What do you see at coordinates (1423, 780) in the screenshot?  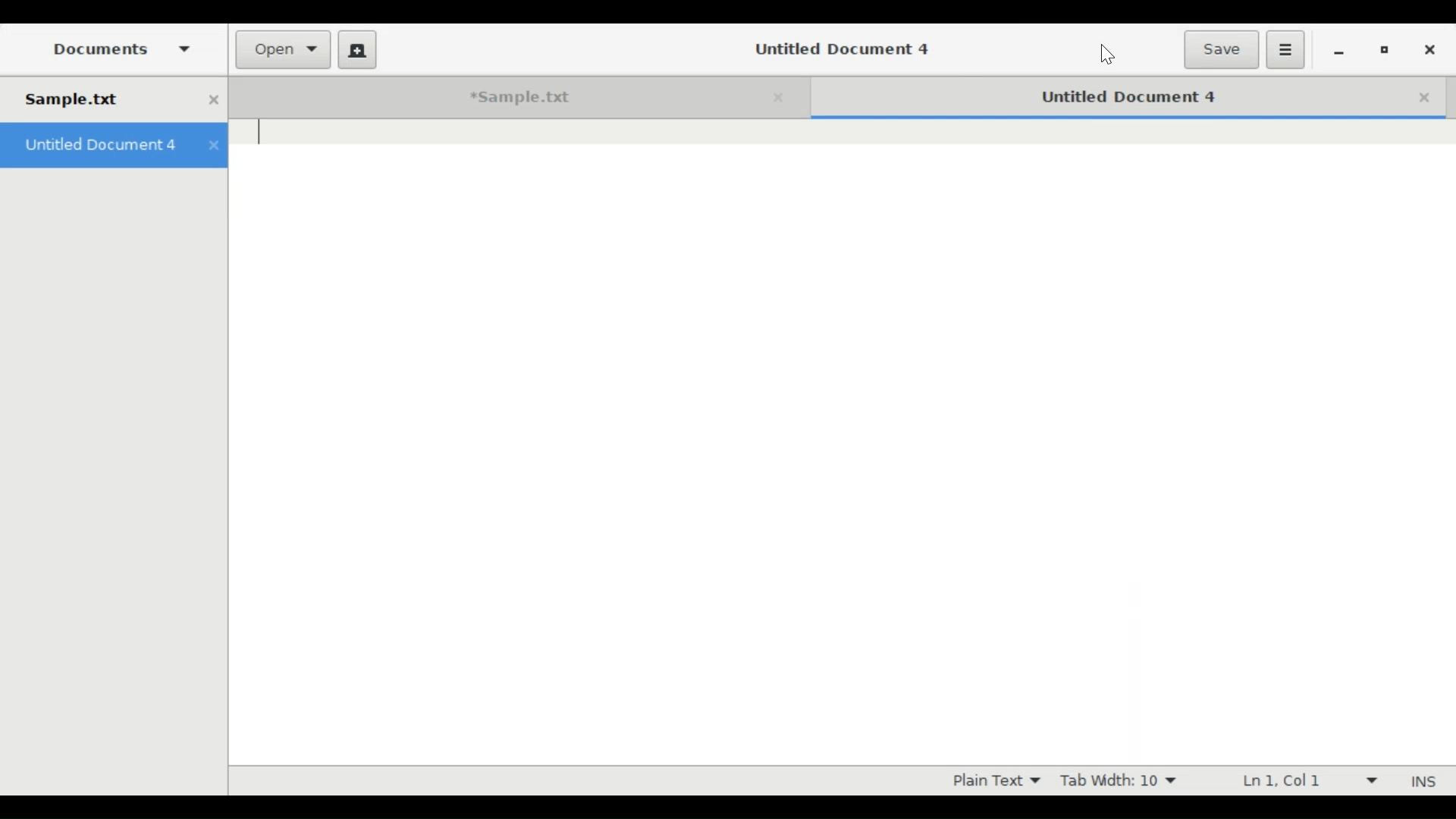 I see `Insert Mode` at bounding box center [1423, 780].